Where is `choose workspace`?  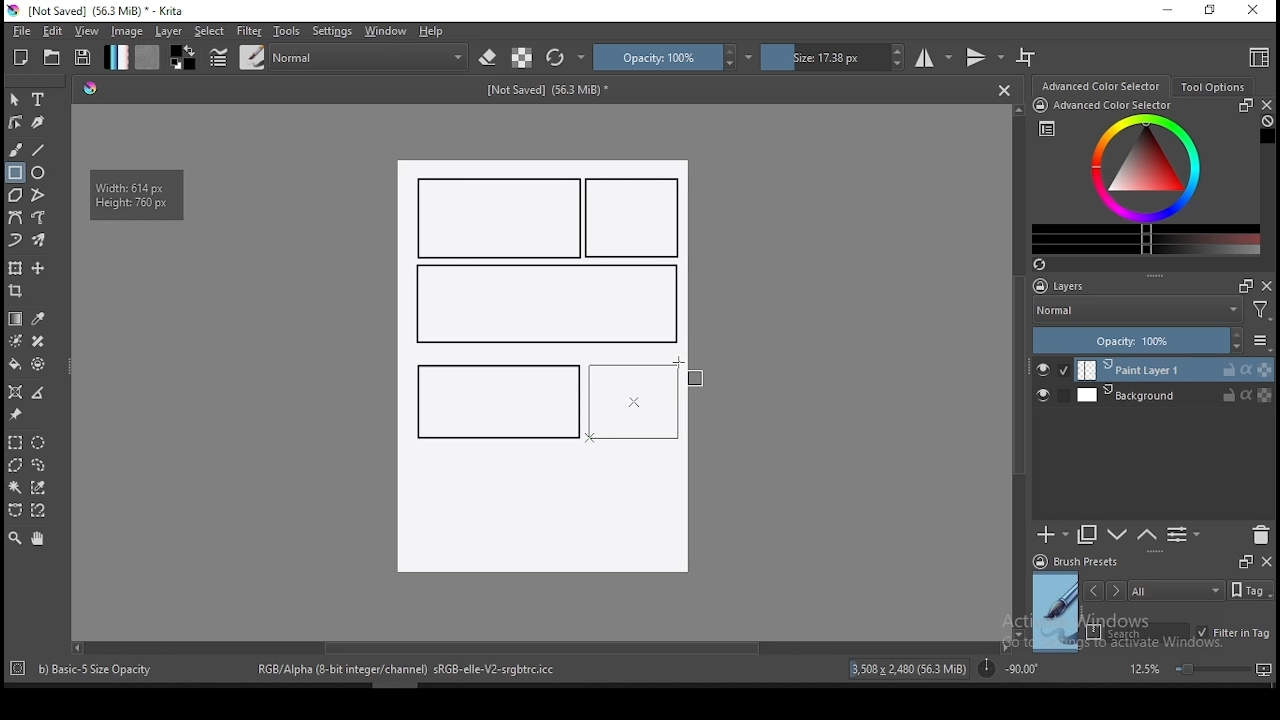 choose workspace is located at coordinates (1257, 57).